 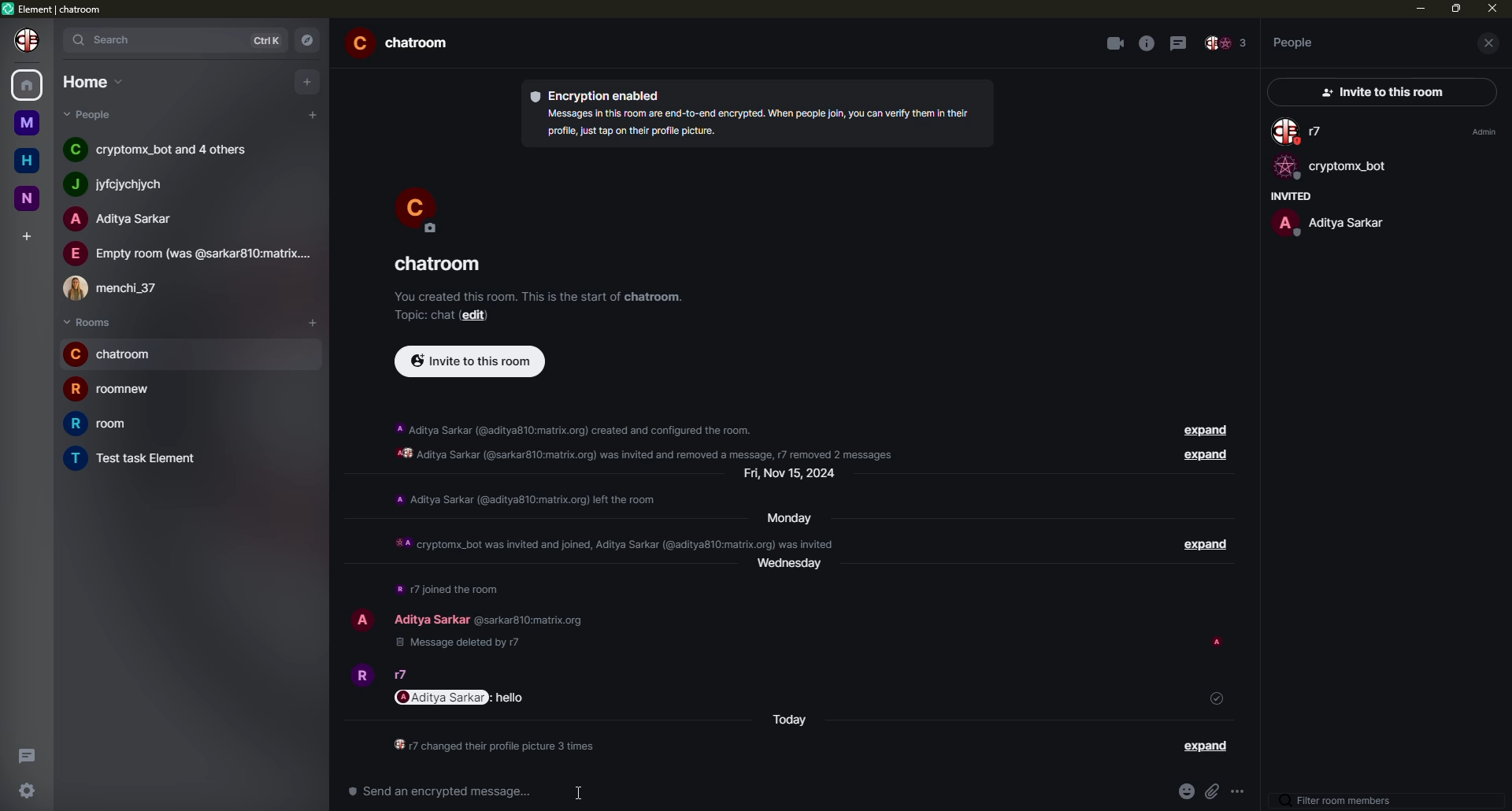 I want to click on attach, so click(x=1214, y=794).